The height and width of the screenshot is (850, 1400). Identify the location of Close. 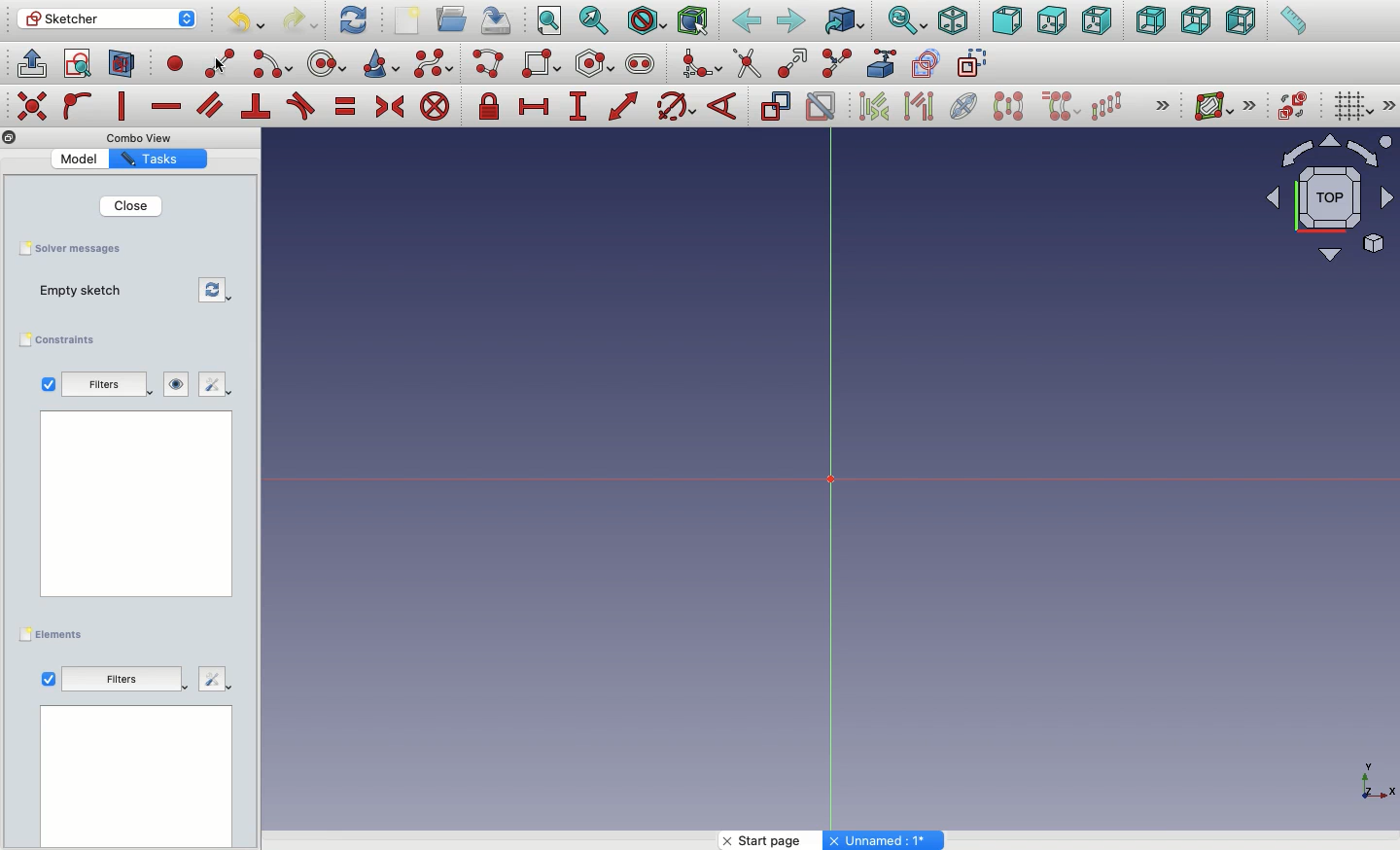
(133, 206).